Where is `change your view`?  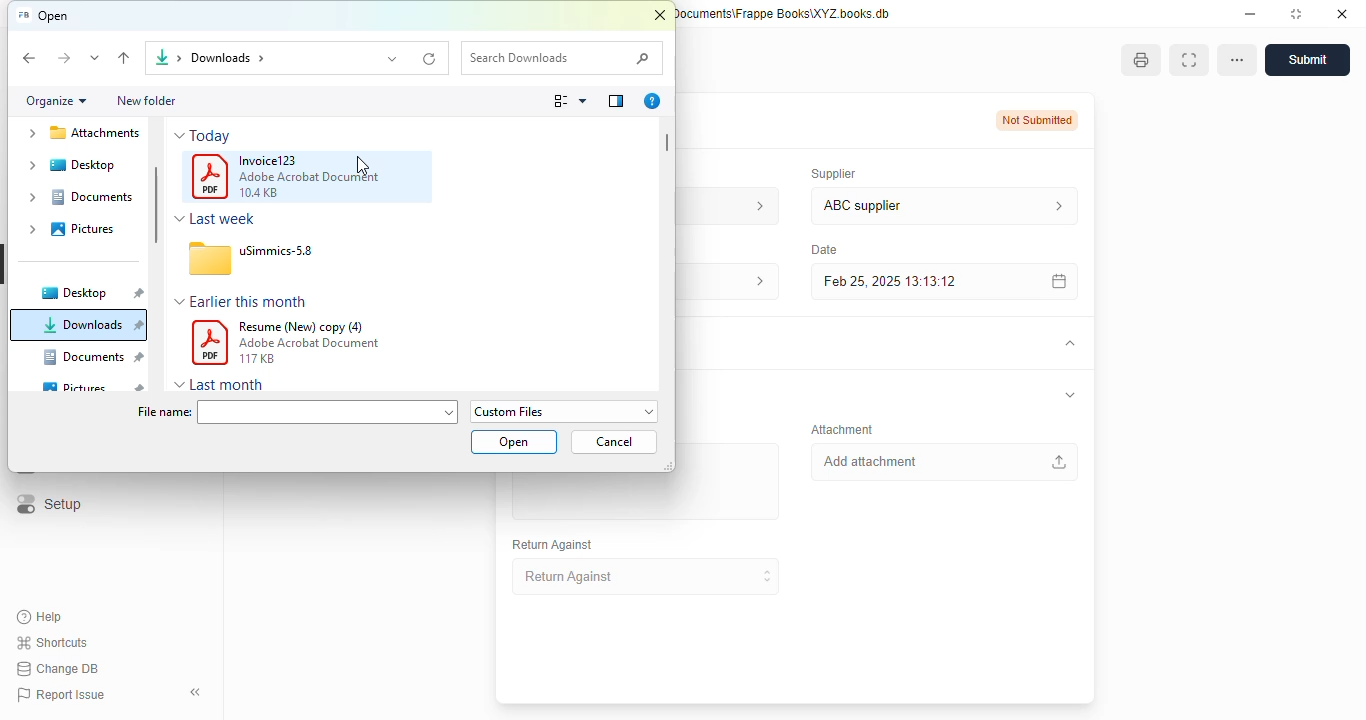
change your view is located at coordinates (571, 101).